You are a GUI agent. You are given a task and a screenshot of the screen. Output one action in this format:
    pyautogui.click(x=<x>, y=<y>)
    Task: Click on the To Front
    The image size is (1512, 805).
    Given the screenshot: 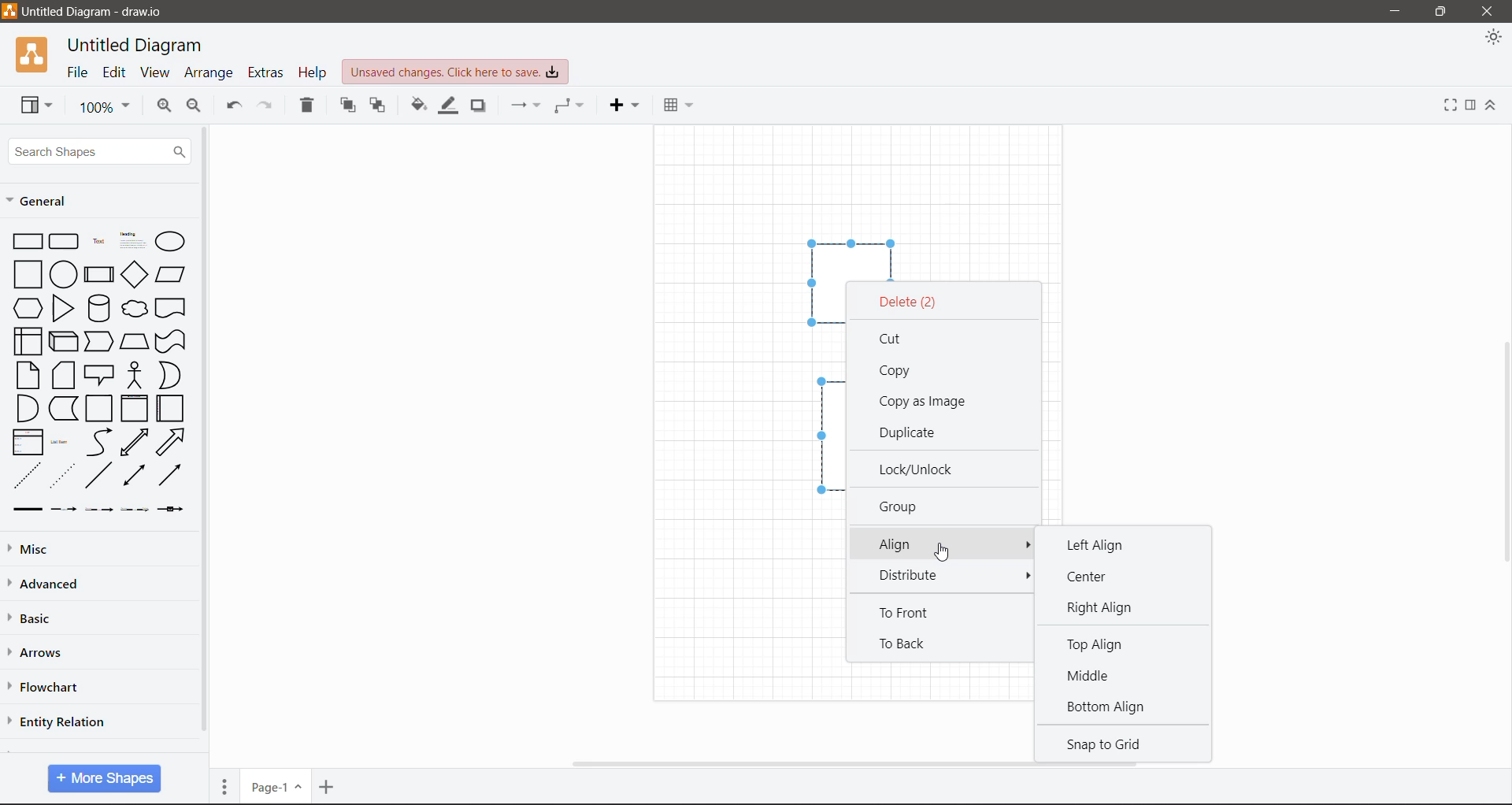 What is the action you would take?
    pyautogui.click(x=347, y=106)
    